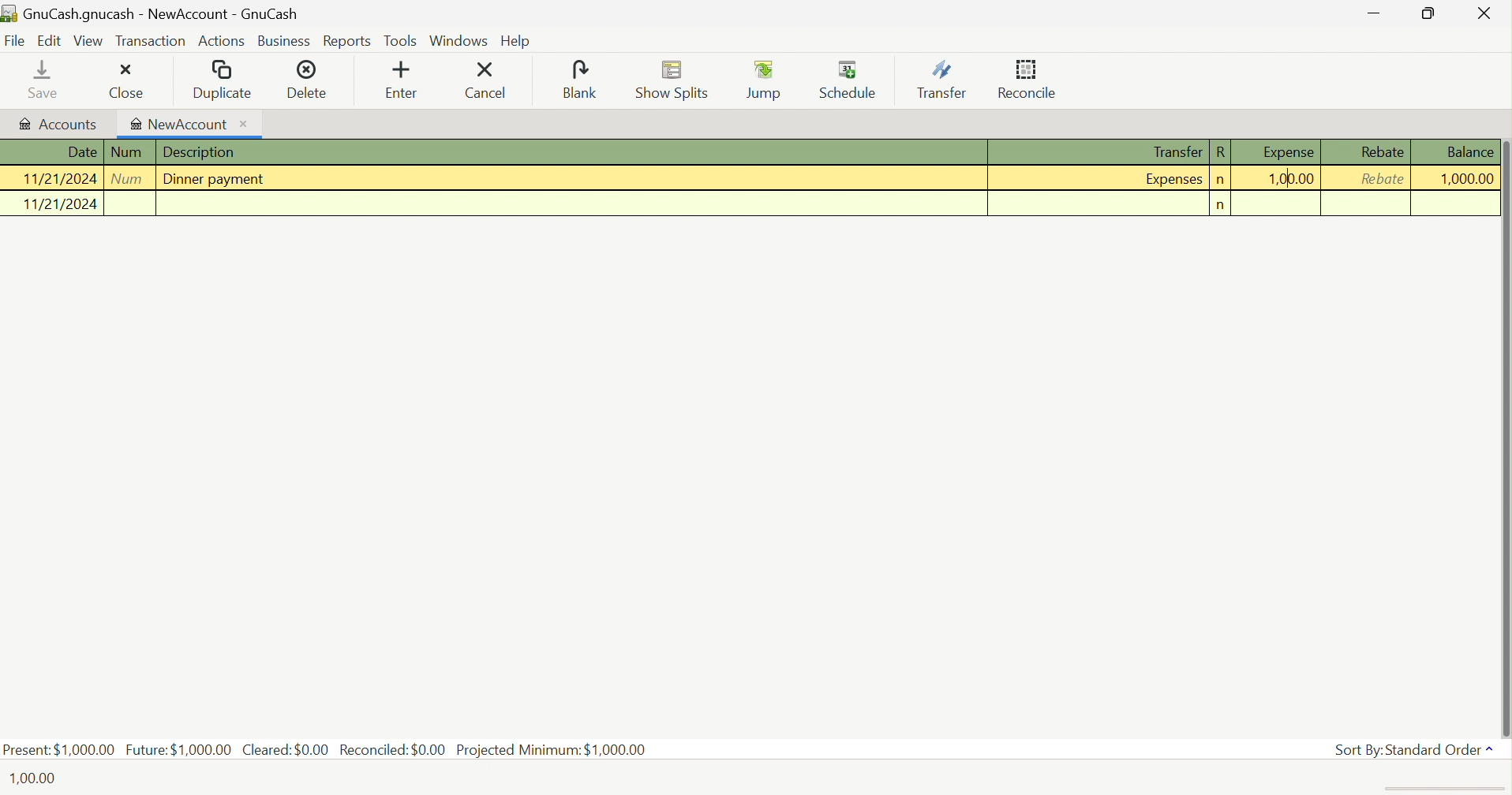 Image resolution: width=1512 pixels, height=795 pixels. What do you see at coordinates (1428, 13) in the screenshot?
I see `Restore Down` at bounding box center [1428, 13].